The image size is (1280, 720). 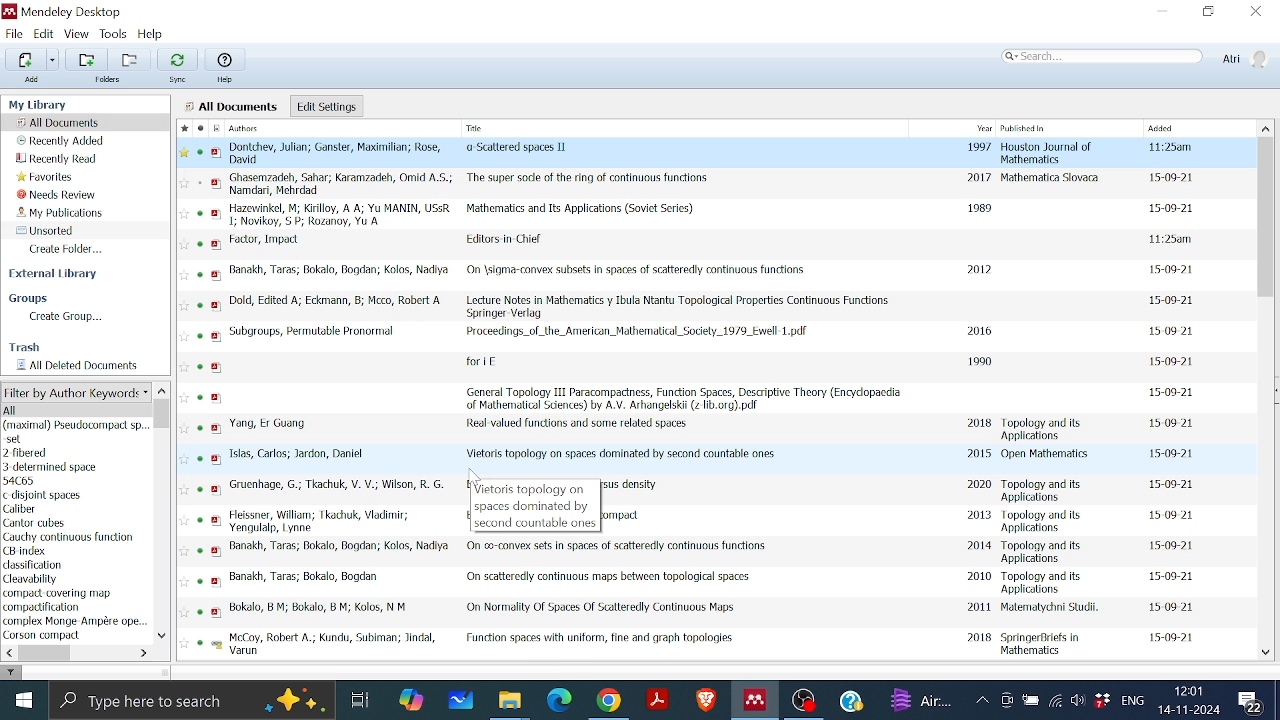 What do you see at coordinates (202, 643) in the screenshot?
I see `read status` at bounding box center [202, 643].